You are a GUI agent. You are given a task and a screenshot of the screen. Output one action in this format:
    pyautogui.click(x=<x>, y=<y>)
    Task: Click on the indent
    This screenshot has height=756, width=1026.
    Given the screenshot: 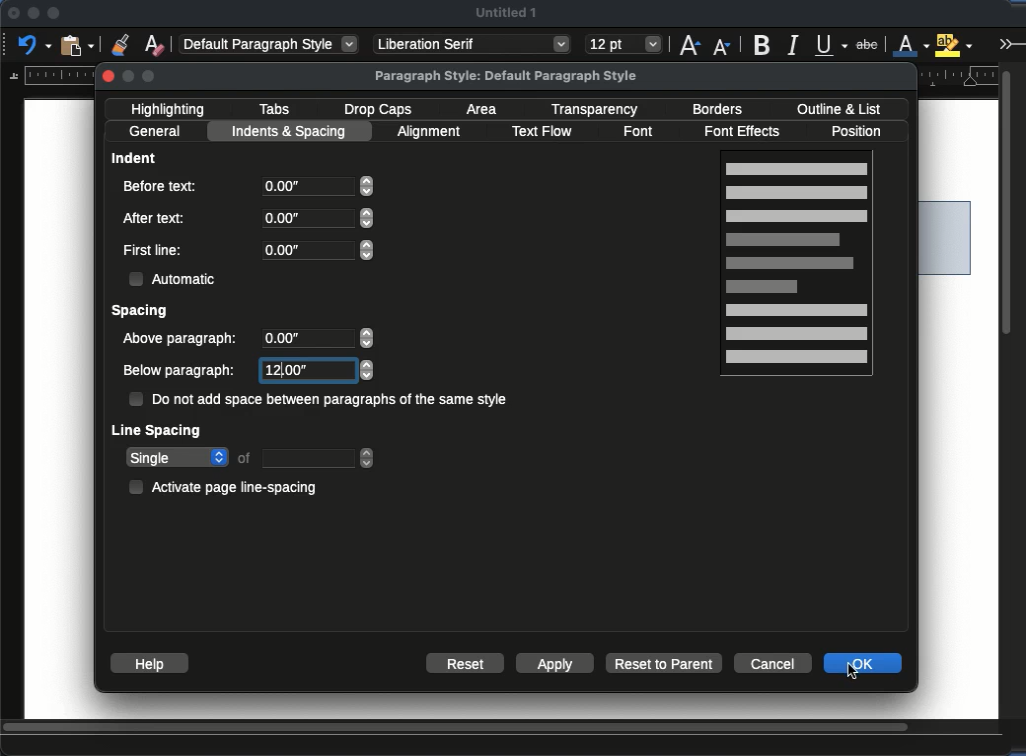 What is the action you would take?
    pyautogui.click(x=135, y=157)
    